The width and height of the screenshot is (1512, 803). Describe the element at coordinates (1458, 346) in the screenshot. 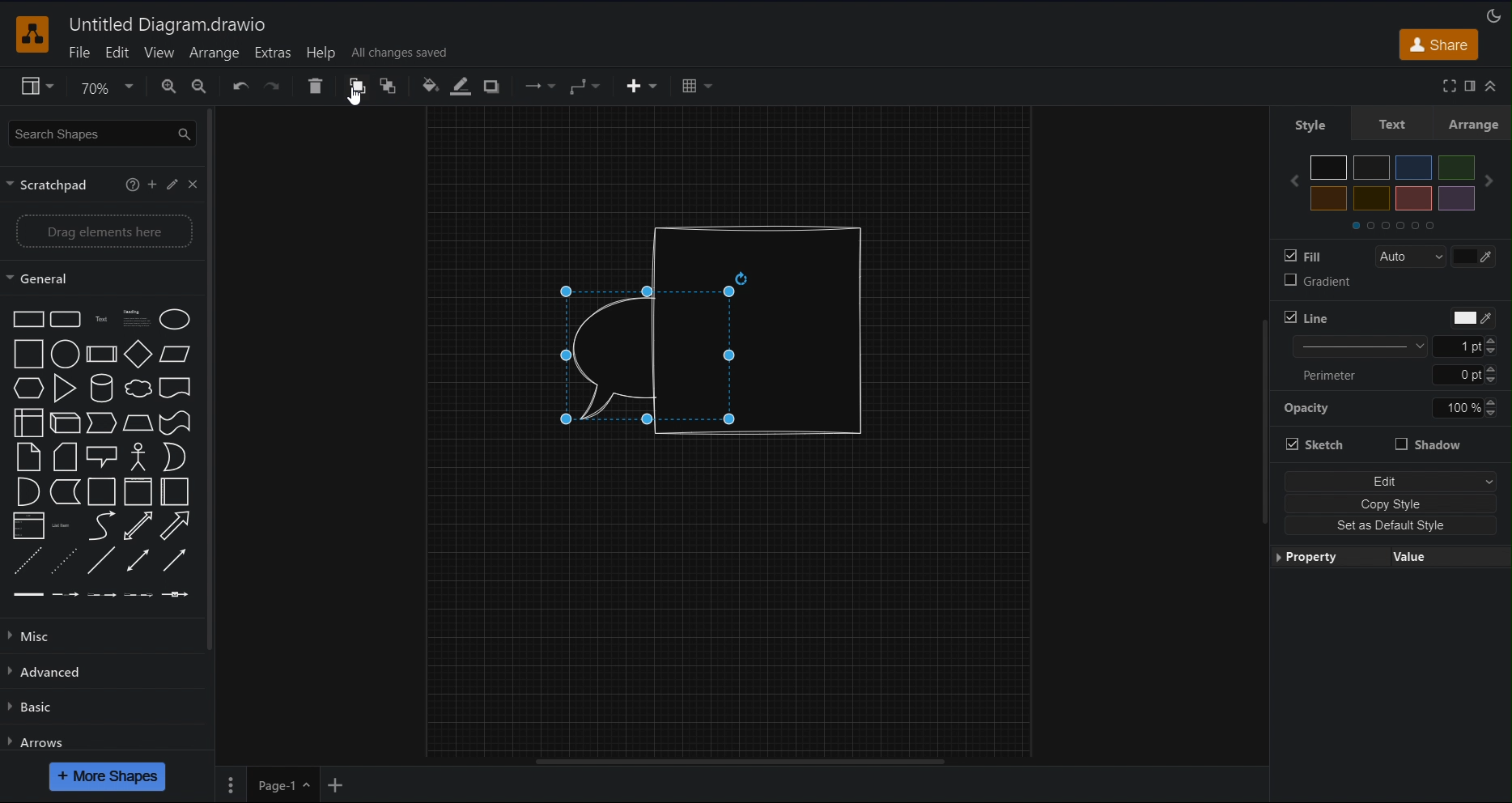

I see `Manually input line thickness` at that location.